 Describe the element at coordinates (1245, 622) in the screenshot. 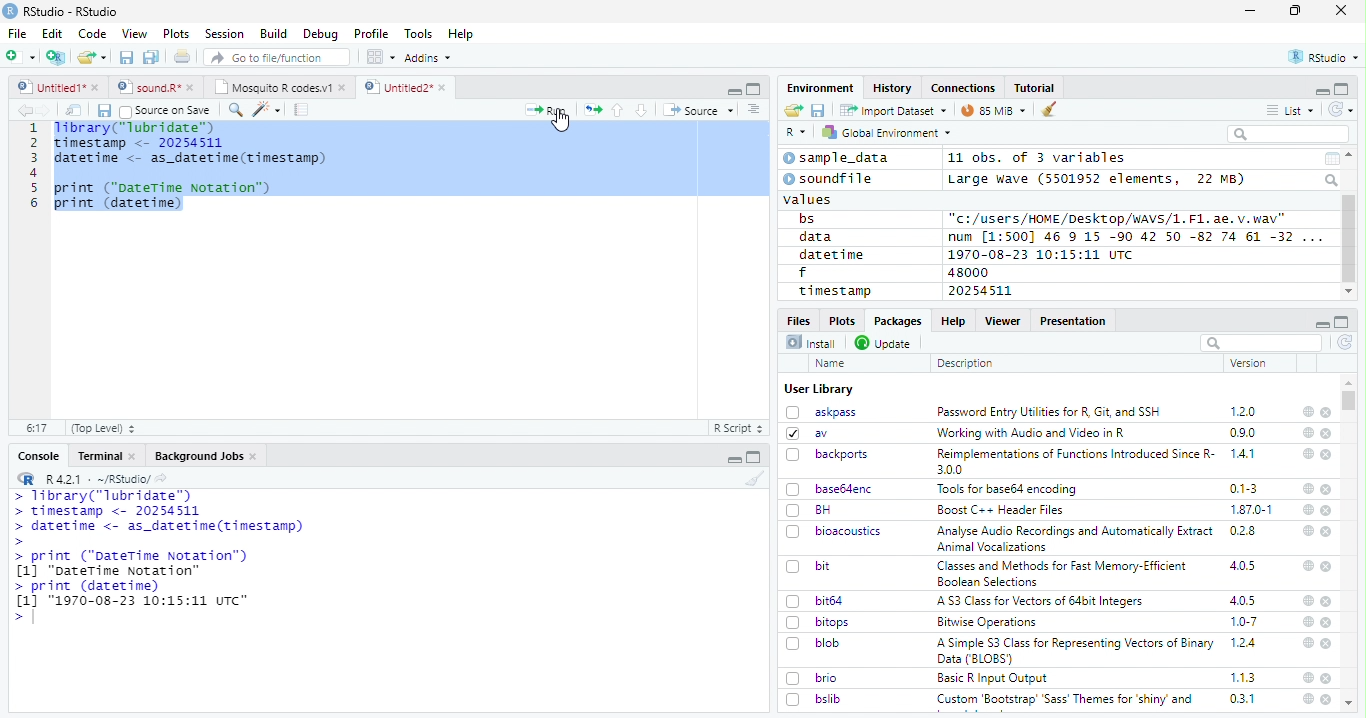

I see `1.0-7` at that location.